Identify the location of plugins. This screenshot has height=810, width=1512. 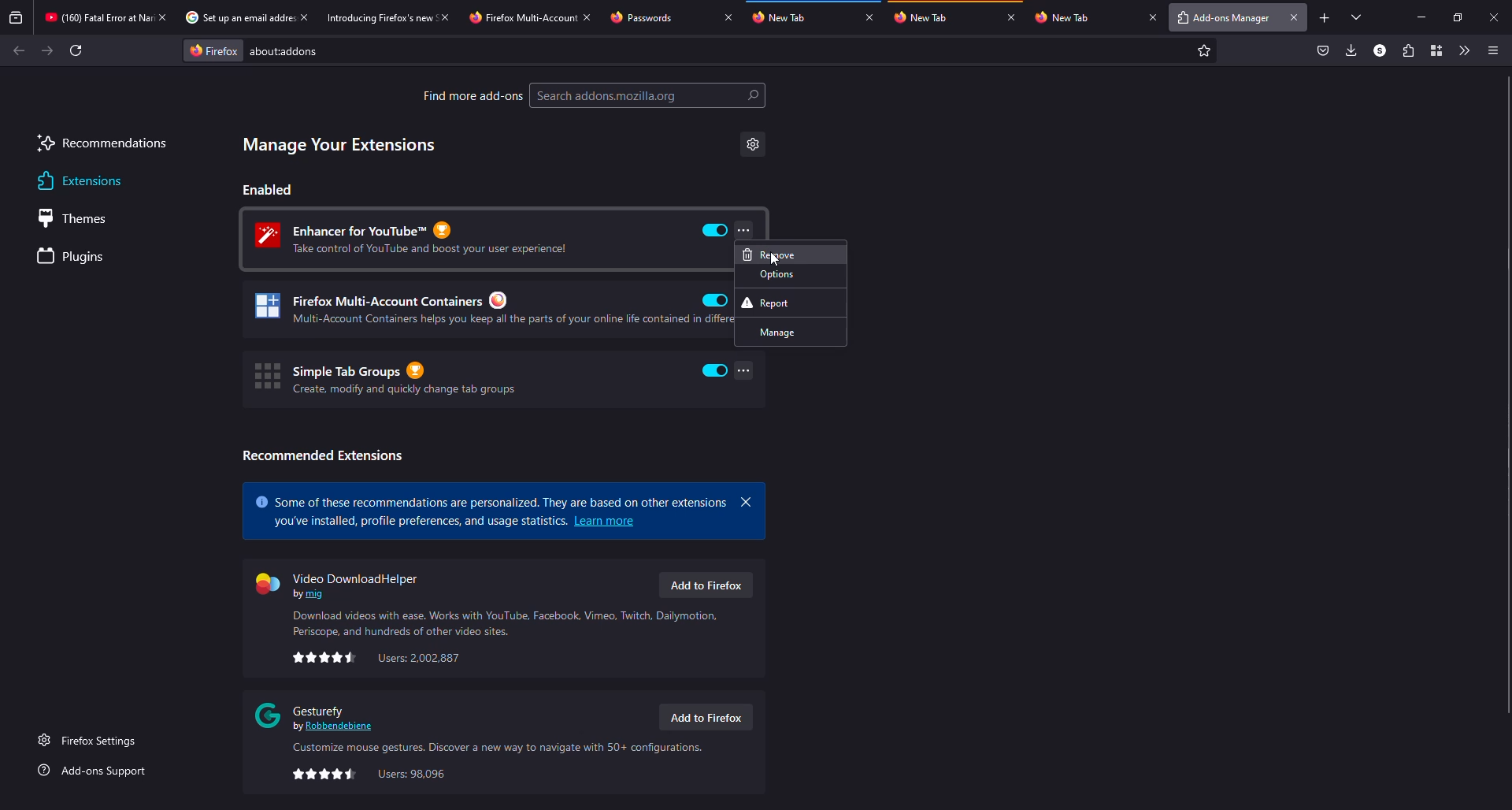
(74, 258).